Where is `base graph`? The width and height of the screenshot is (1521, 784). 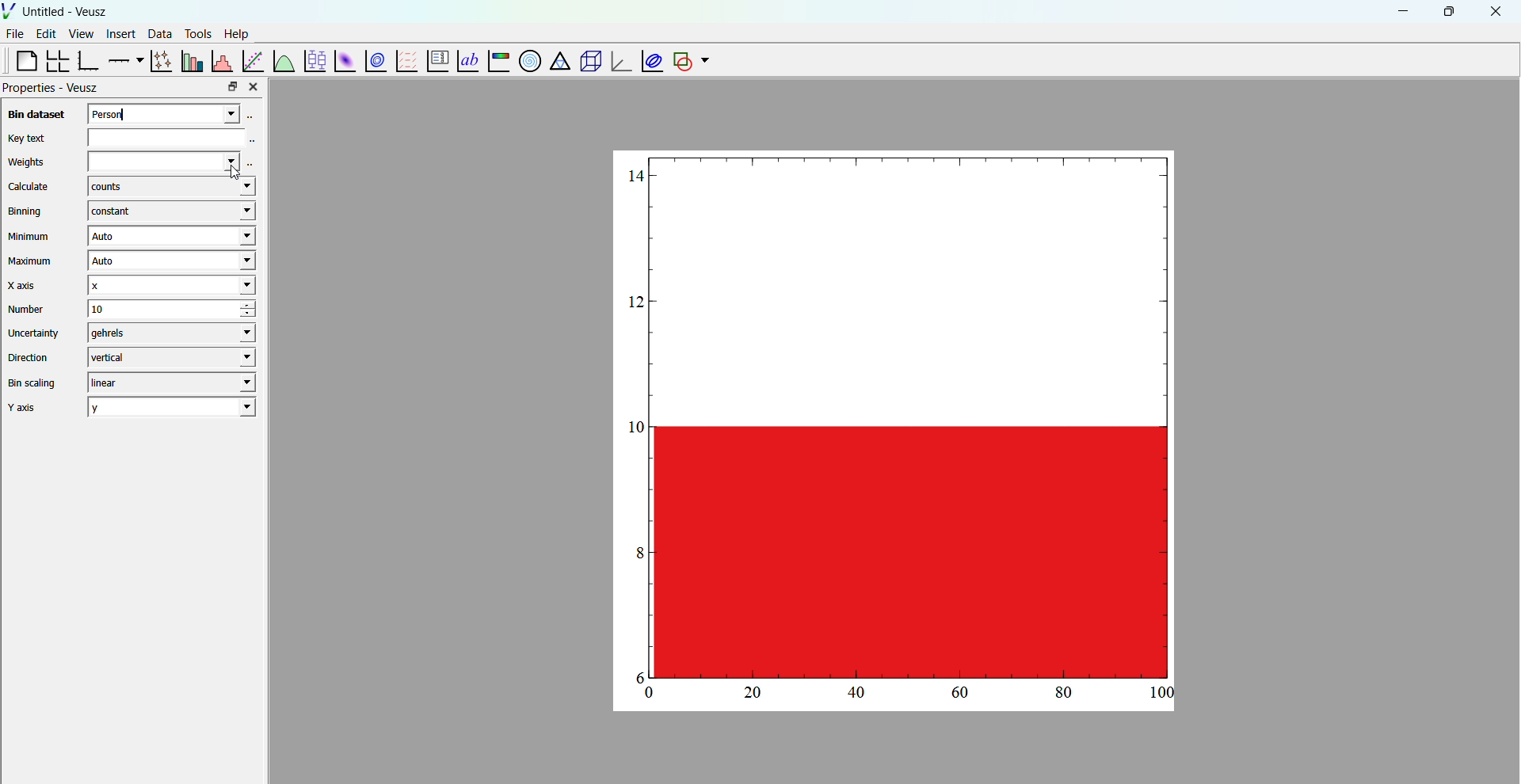
base graph is located at coordinates (88, 61).